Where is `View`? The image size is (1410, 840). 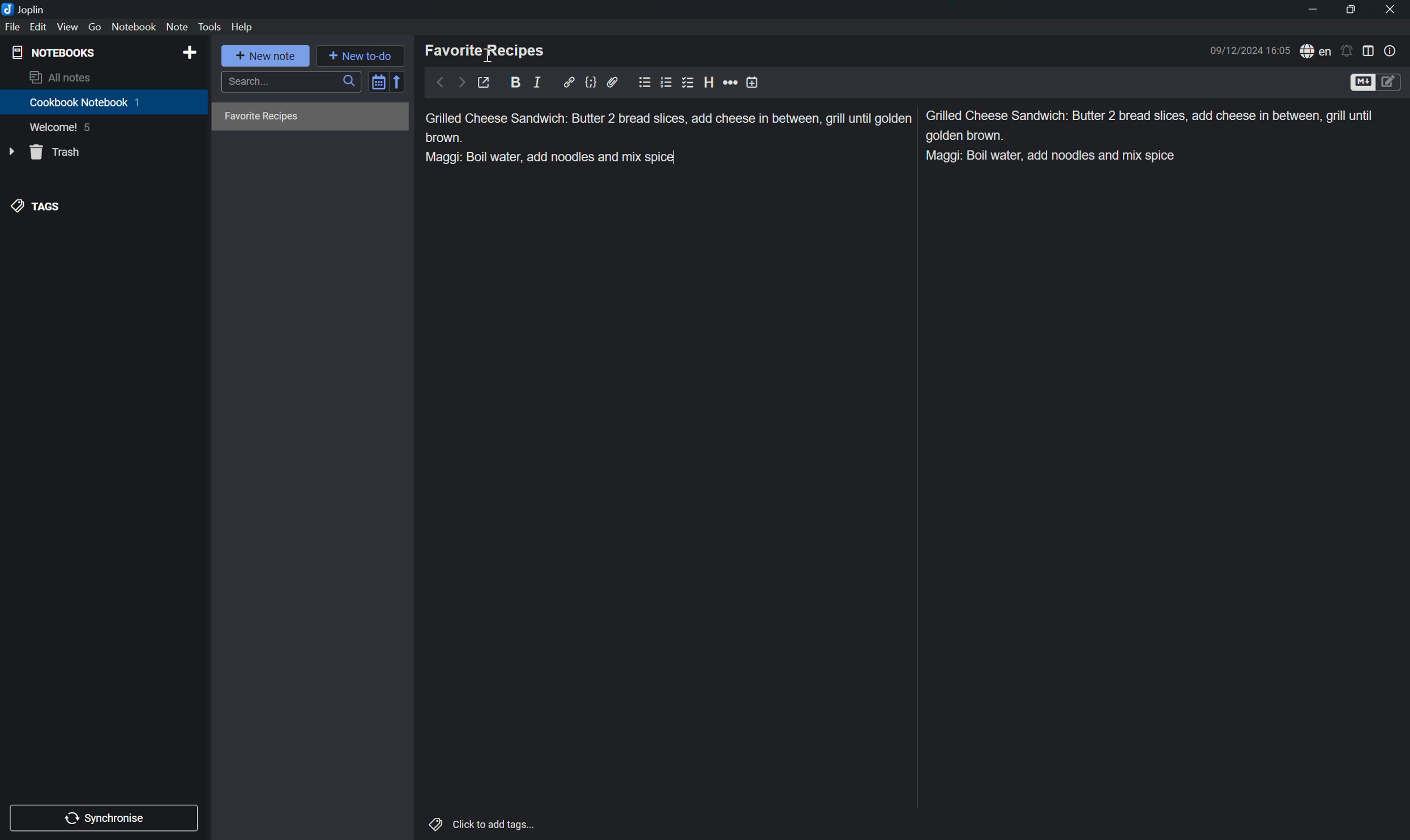
View is located at coordinates (68, 27).